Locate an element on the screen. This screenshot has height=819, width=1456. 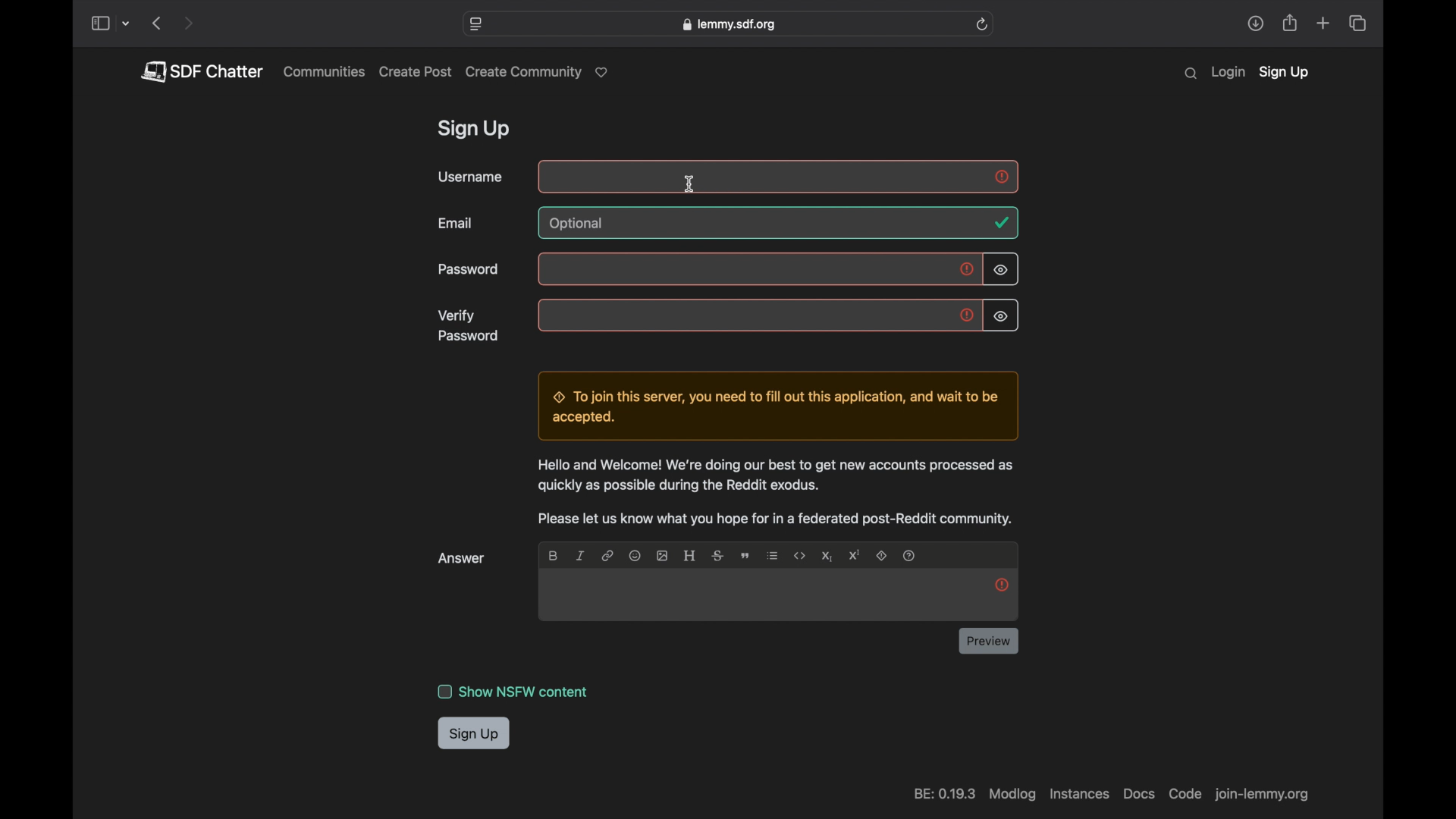
sign up is located at coordinates (475, 734).